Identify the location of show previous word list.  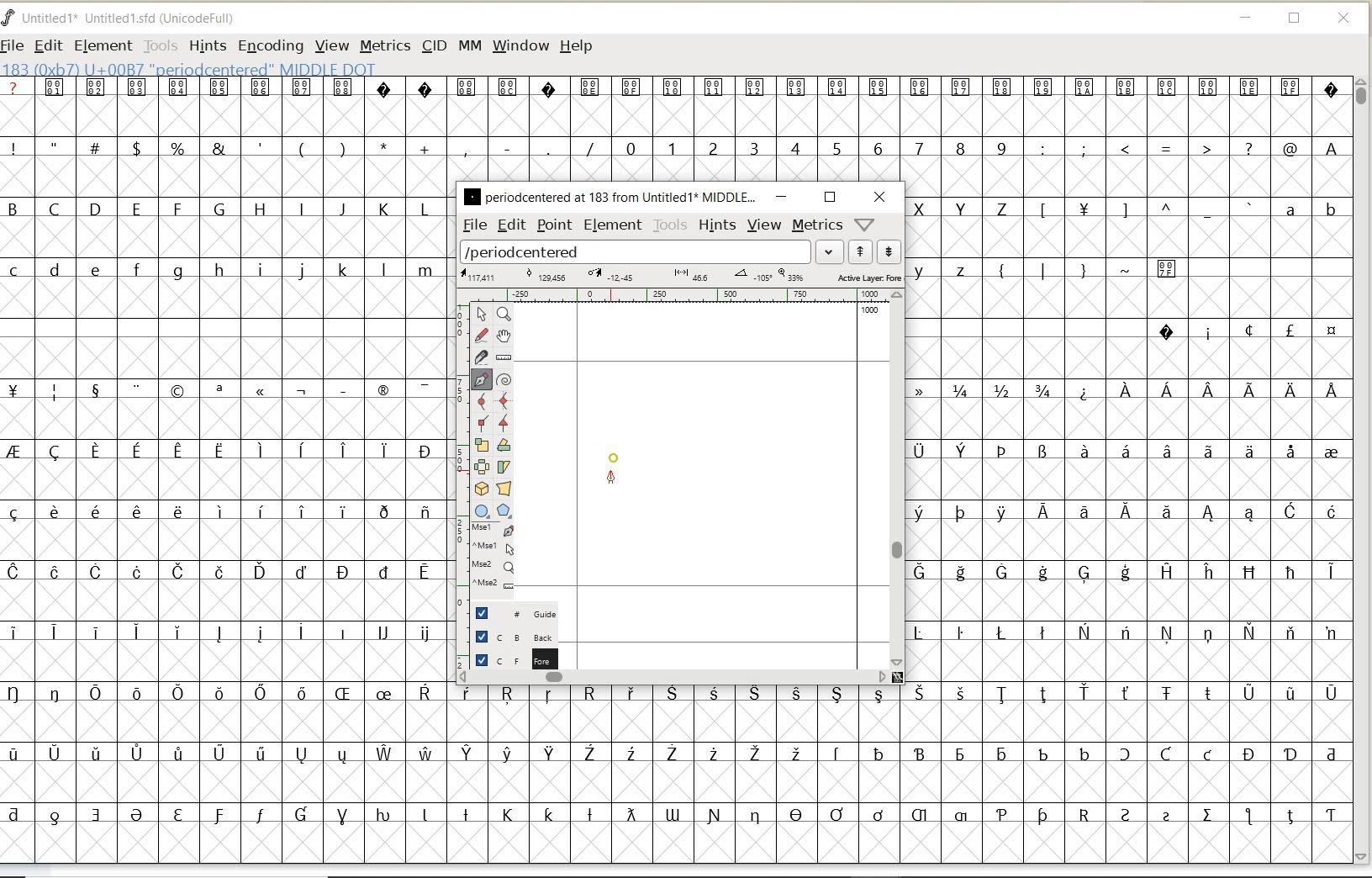
(862, 252).